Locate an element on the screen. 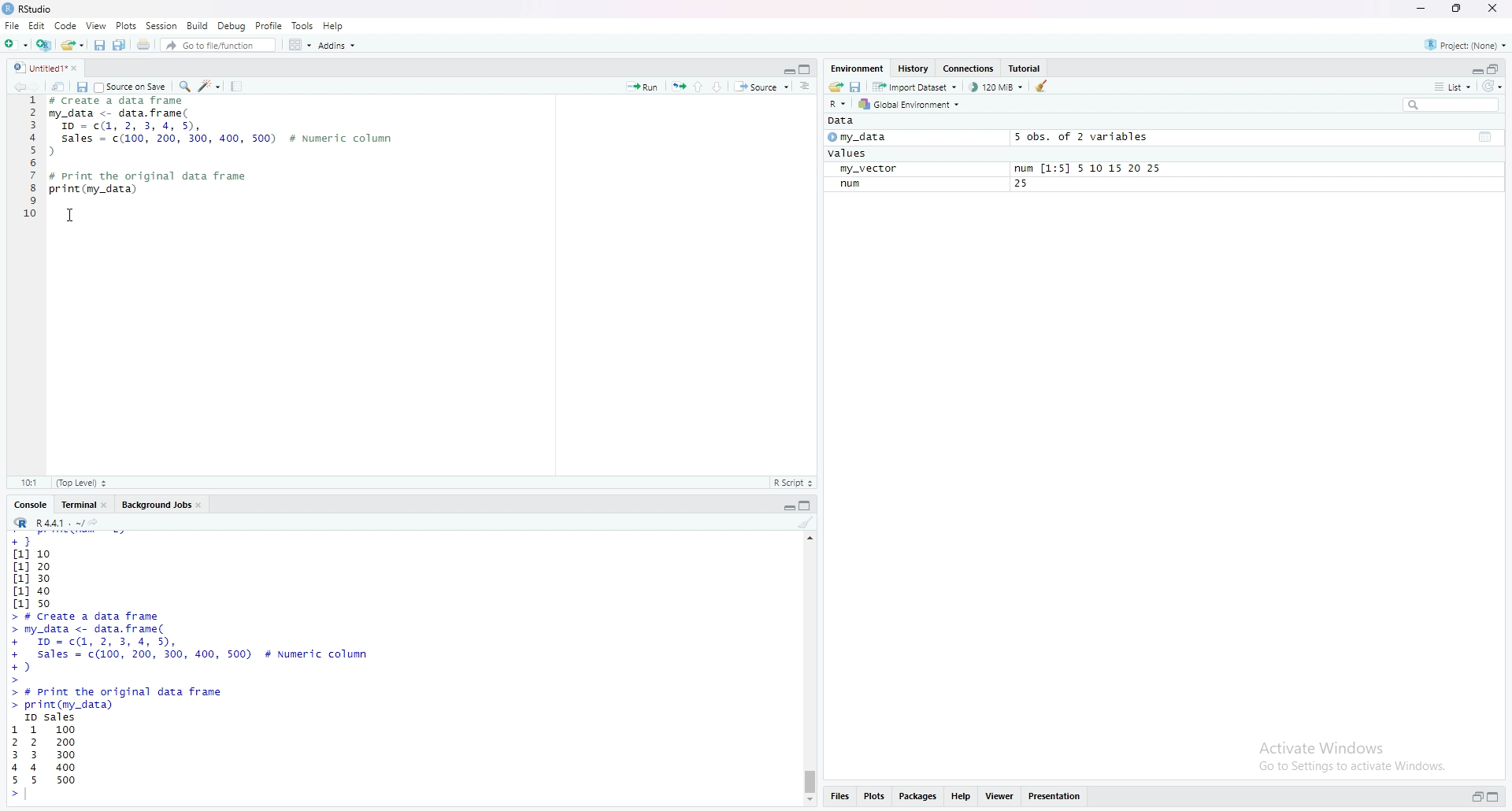 The image size is (1512, 811). edit is located at coordinates (38, 25).